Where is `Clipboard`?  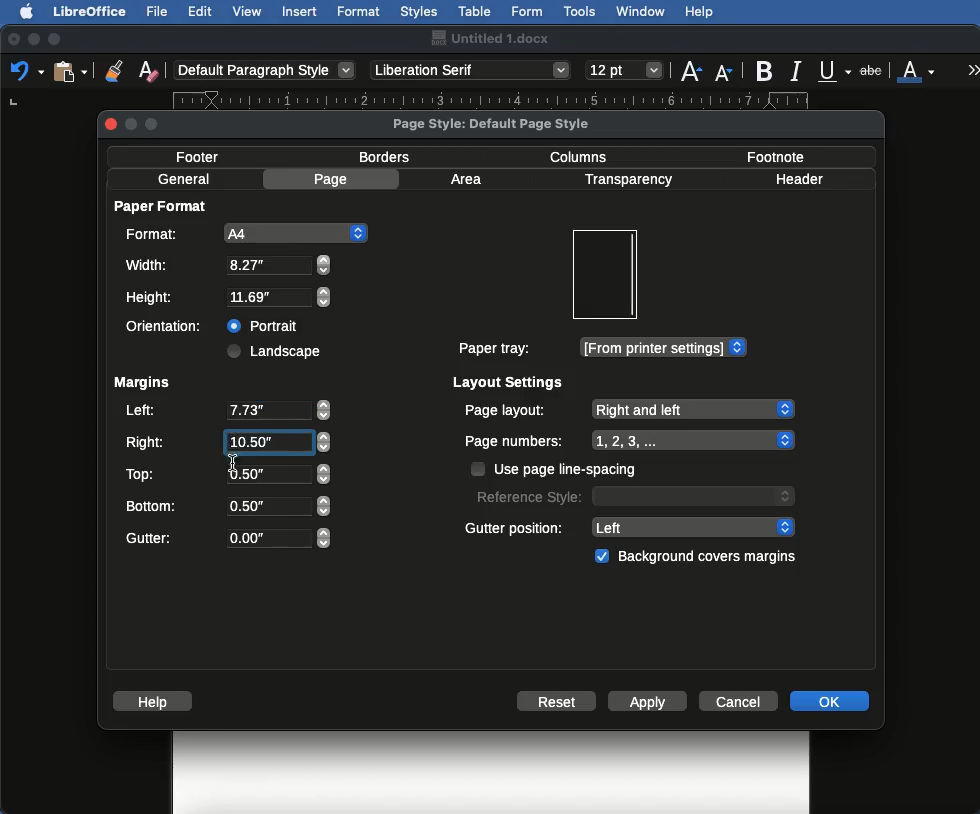 Clipboard is located at coordinates (70, 70).